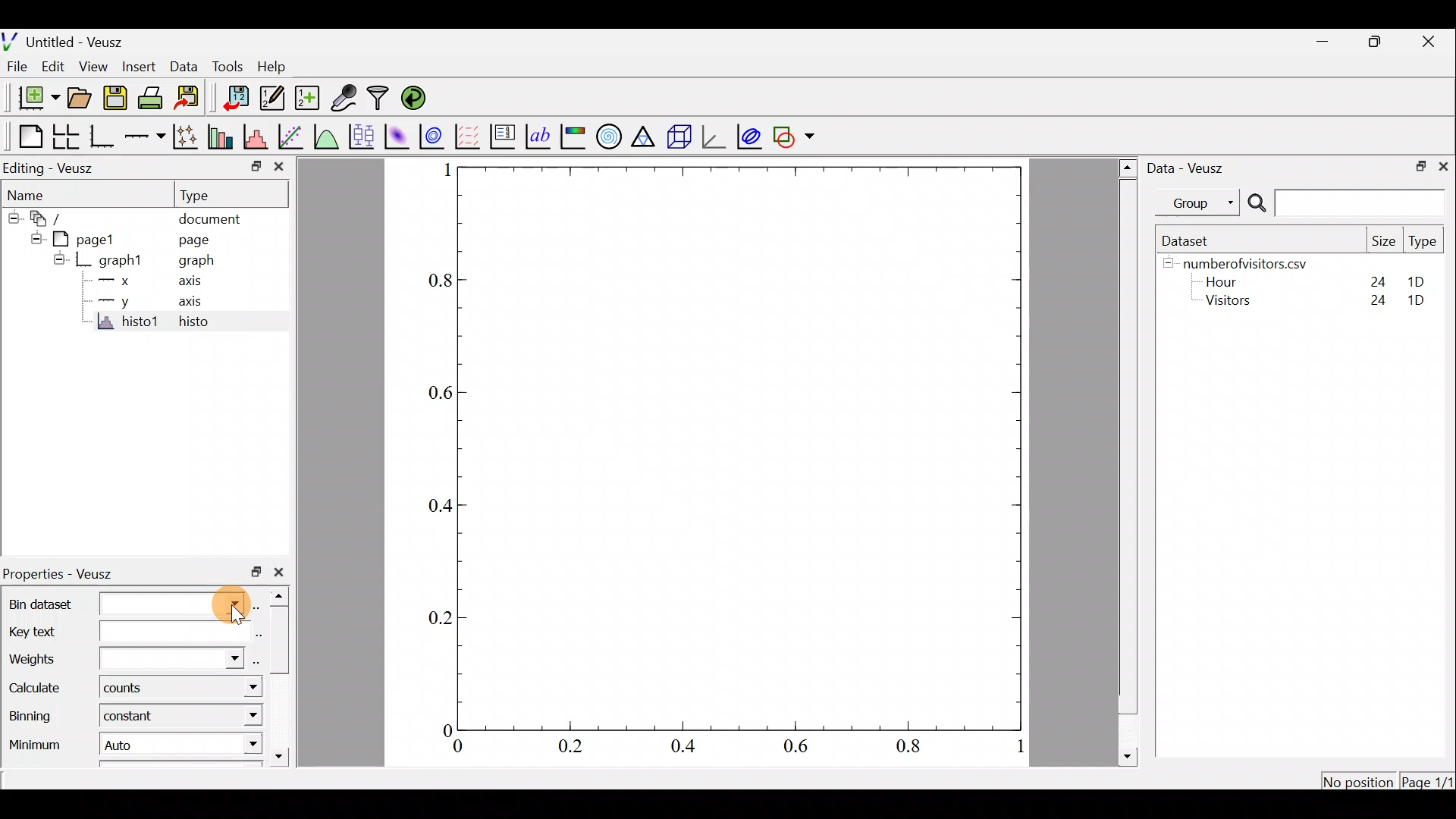 Image resolution: width=1456 pixels, height=819 pixels. I want to click on 0.6, so click(440, 394).